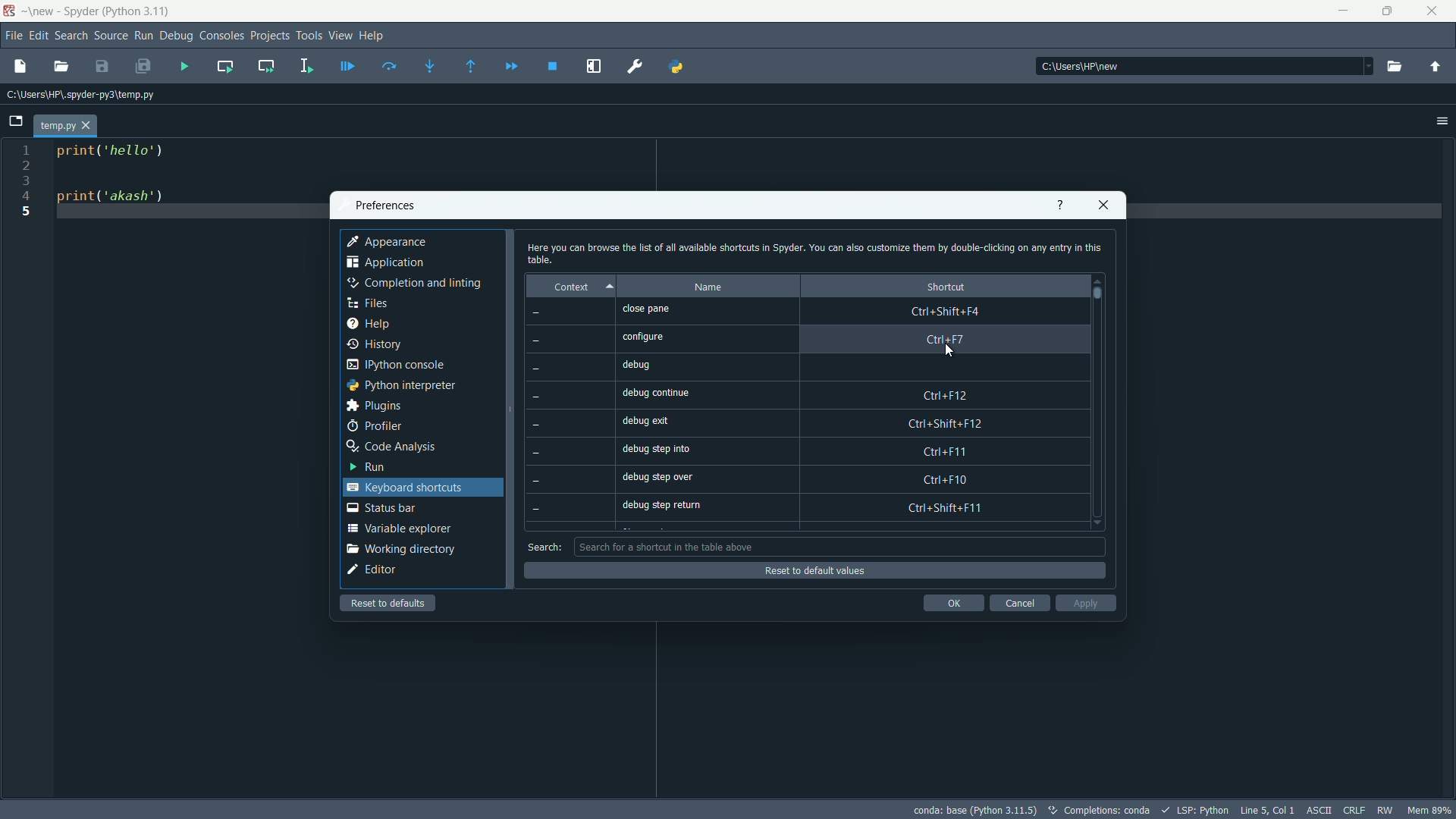  I want to click on shortcut, so click(946, 286).